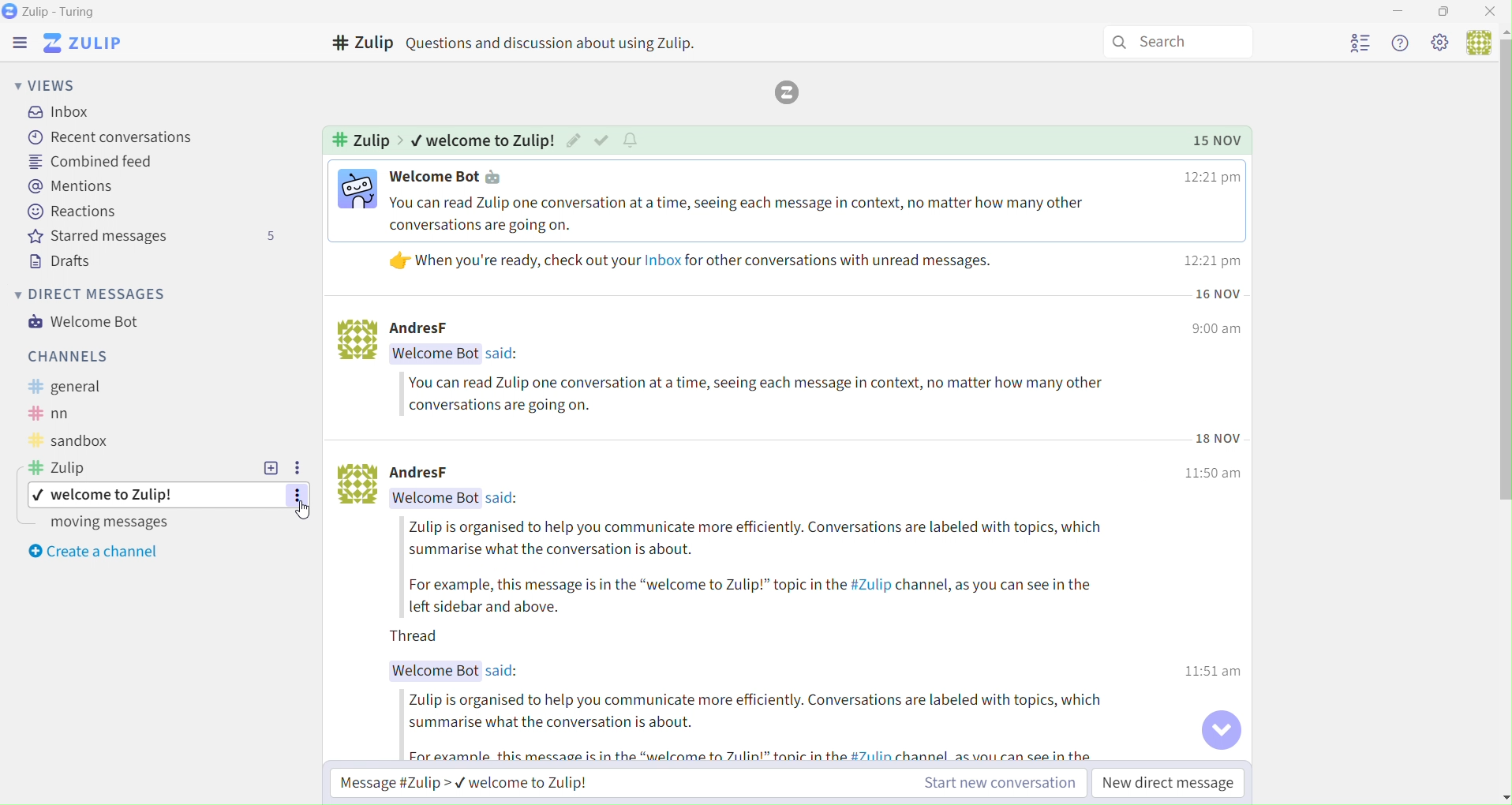 The height and width of the screenshot is (805, 1512). What do you see at coordinates (501, 497) in the screenshot?
I see `Text` at bounding box center [501, 497].